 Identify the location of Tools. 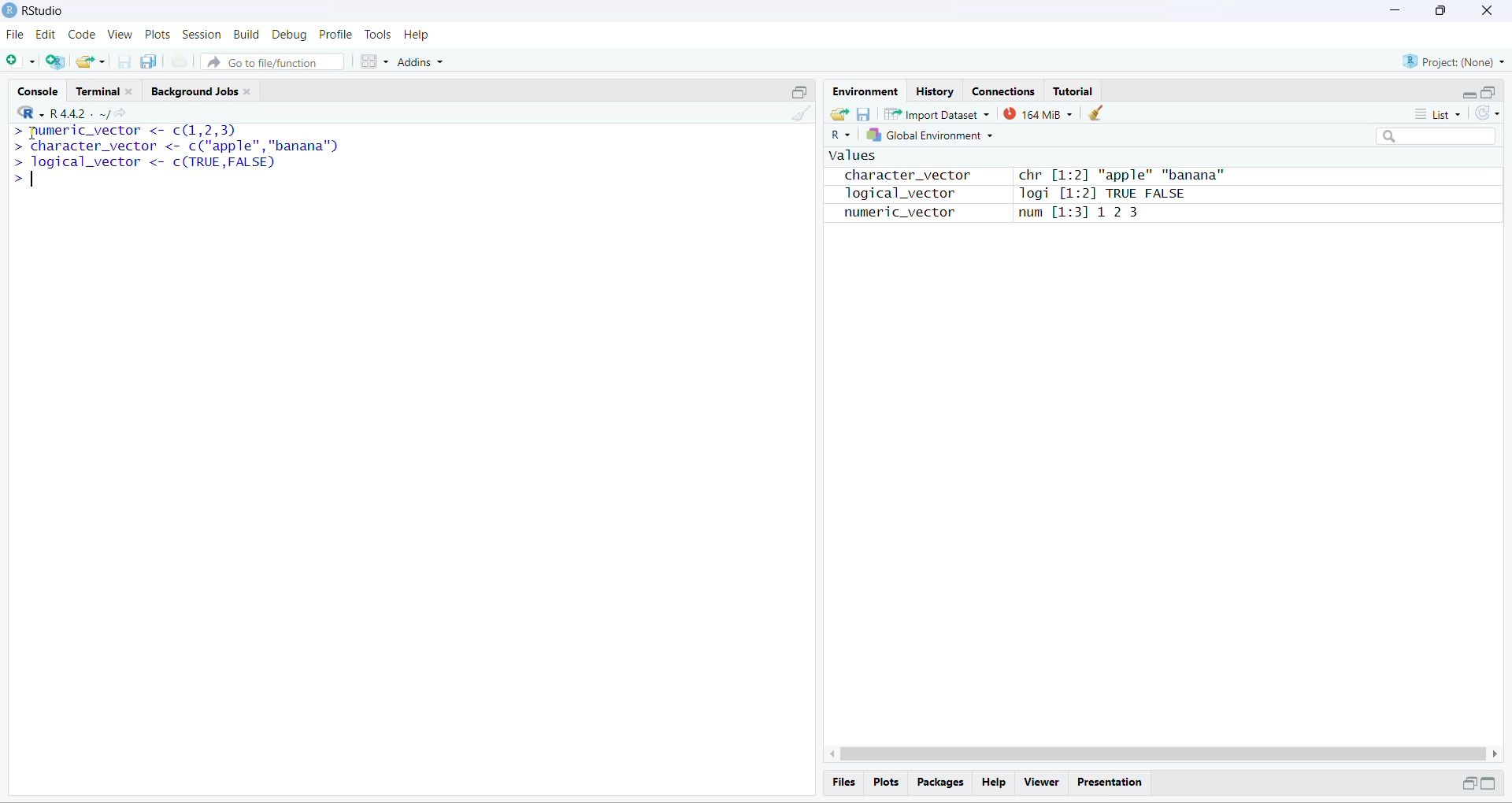
(376, 35).